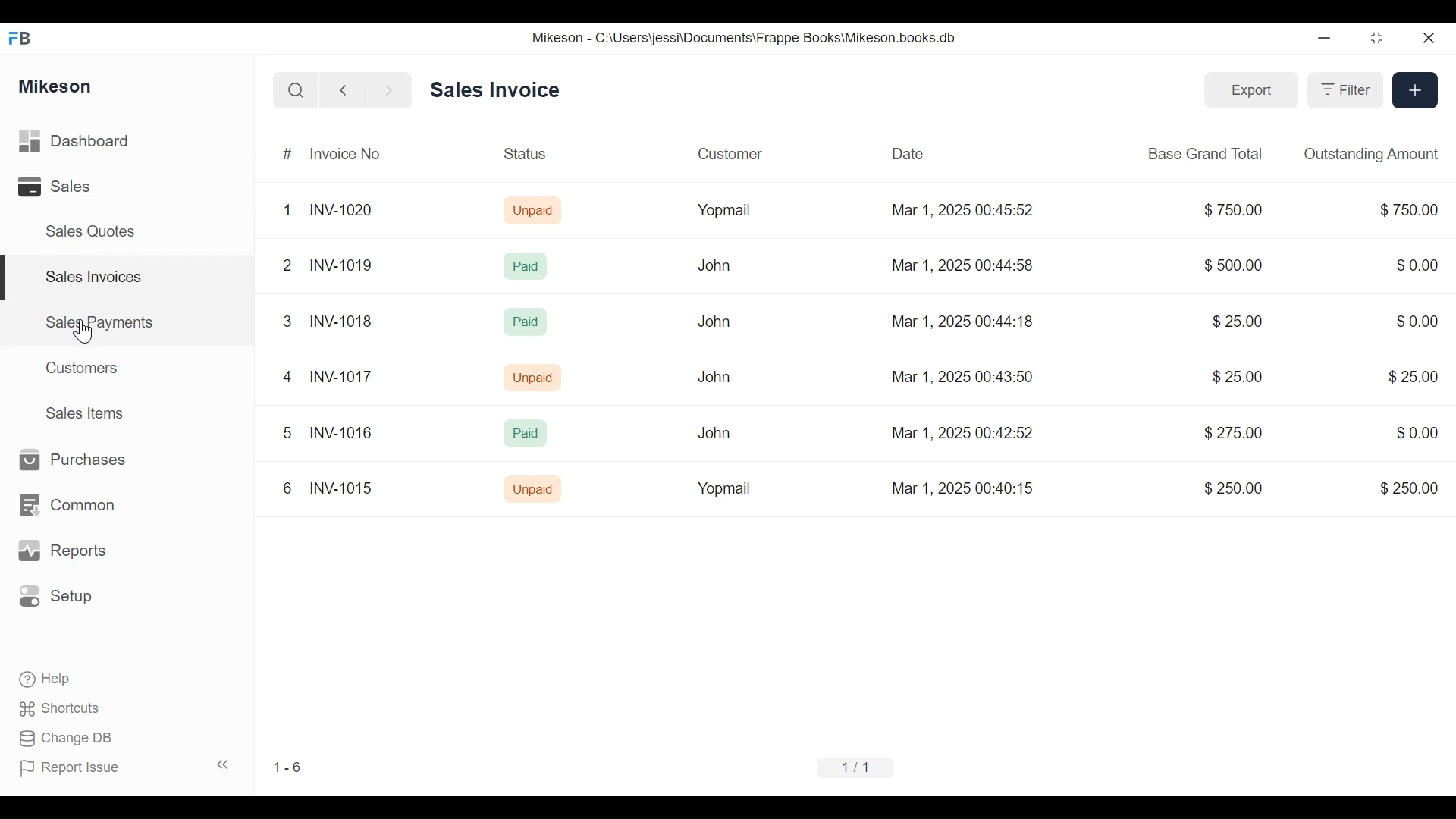 The width and height of the screenshot is (1456, 819). What do you see at coordinates (1417, 319) in the screenshot?
I see `0` at bounding box center [1417, 319].